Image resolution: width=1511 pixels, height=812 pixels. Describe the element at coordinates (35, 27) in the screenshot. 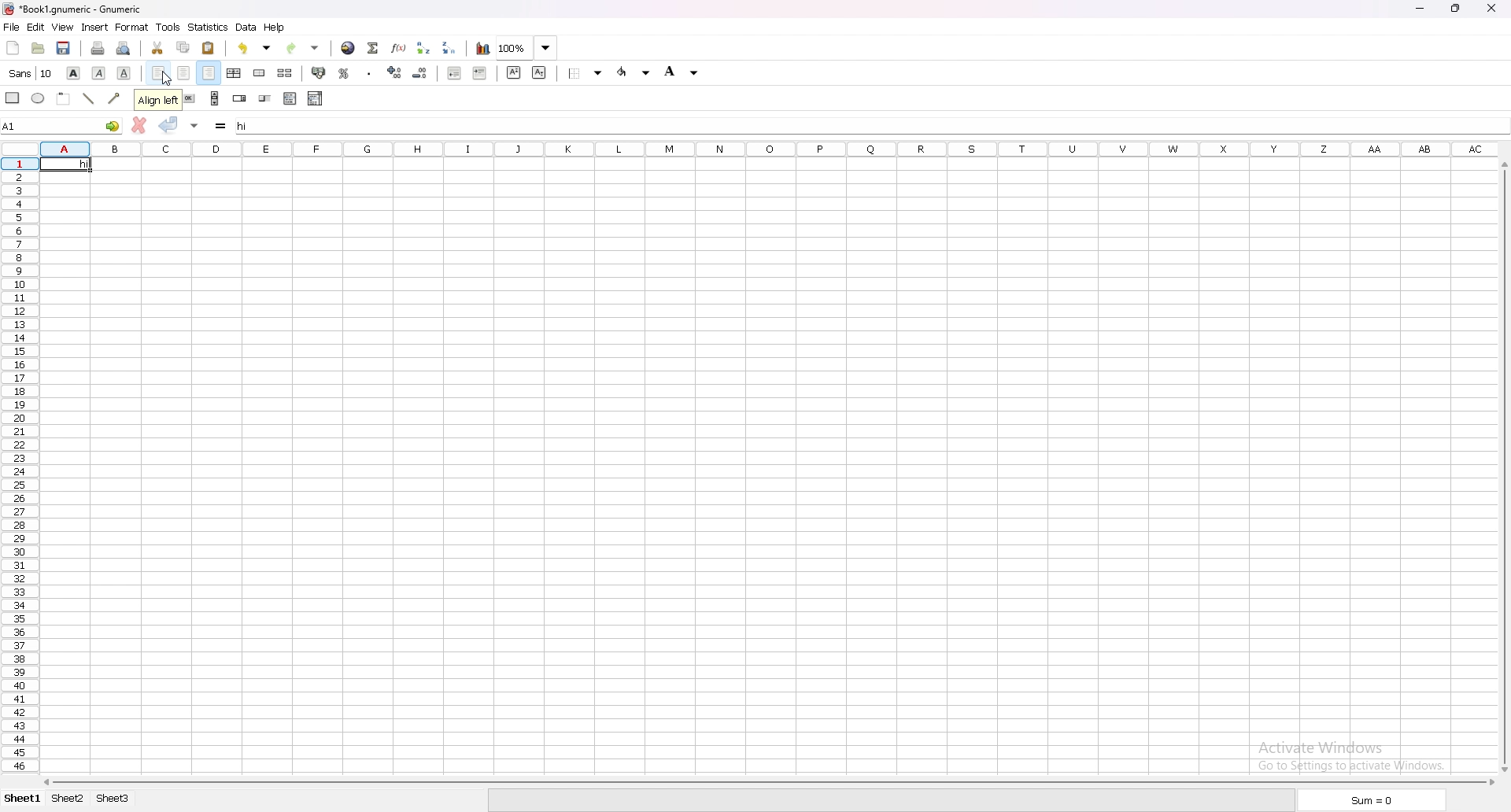

I see `edit` at that location.